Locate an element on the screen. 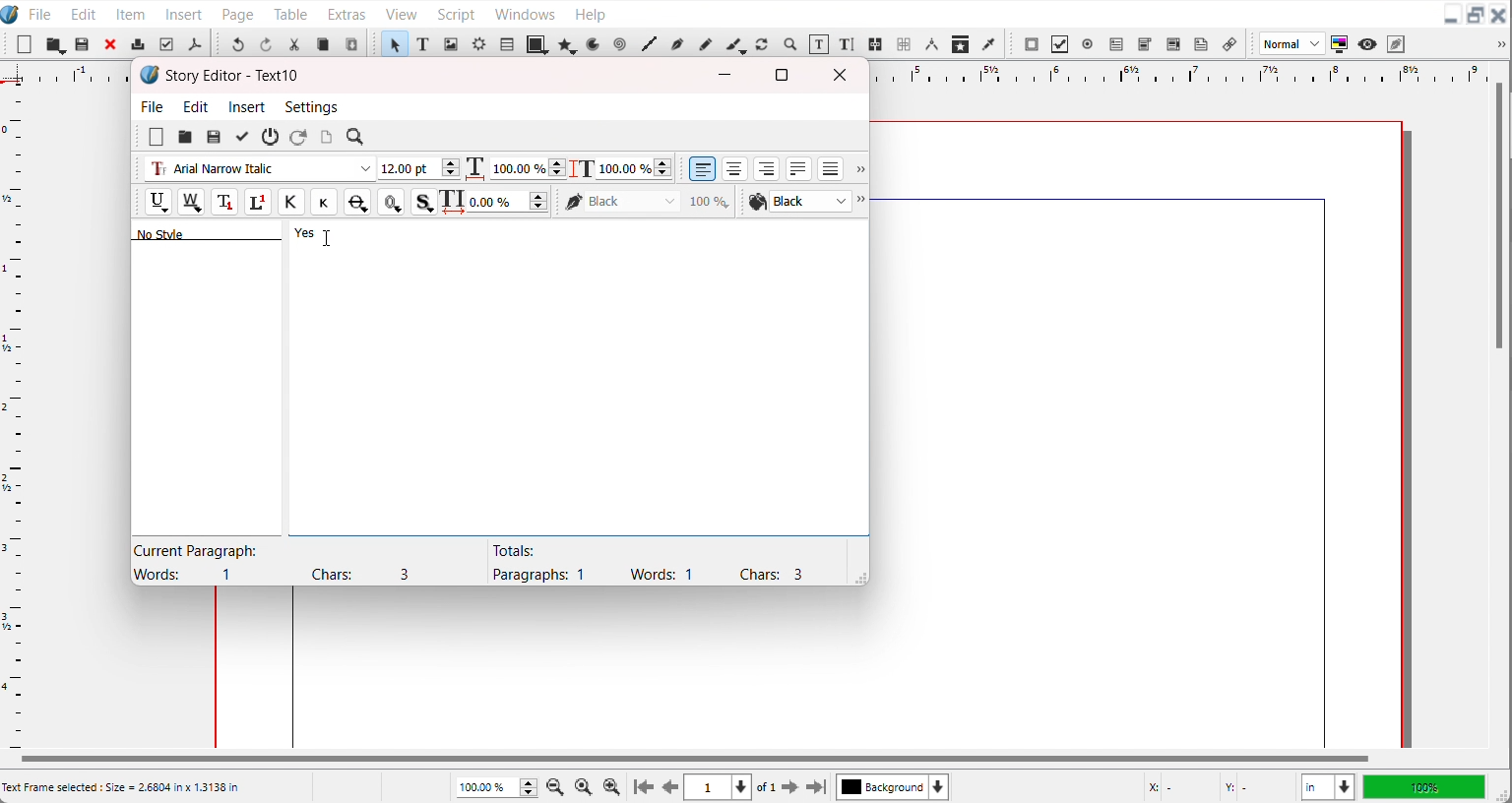  Unlink text frame is located at coordinates (903, 44).